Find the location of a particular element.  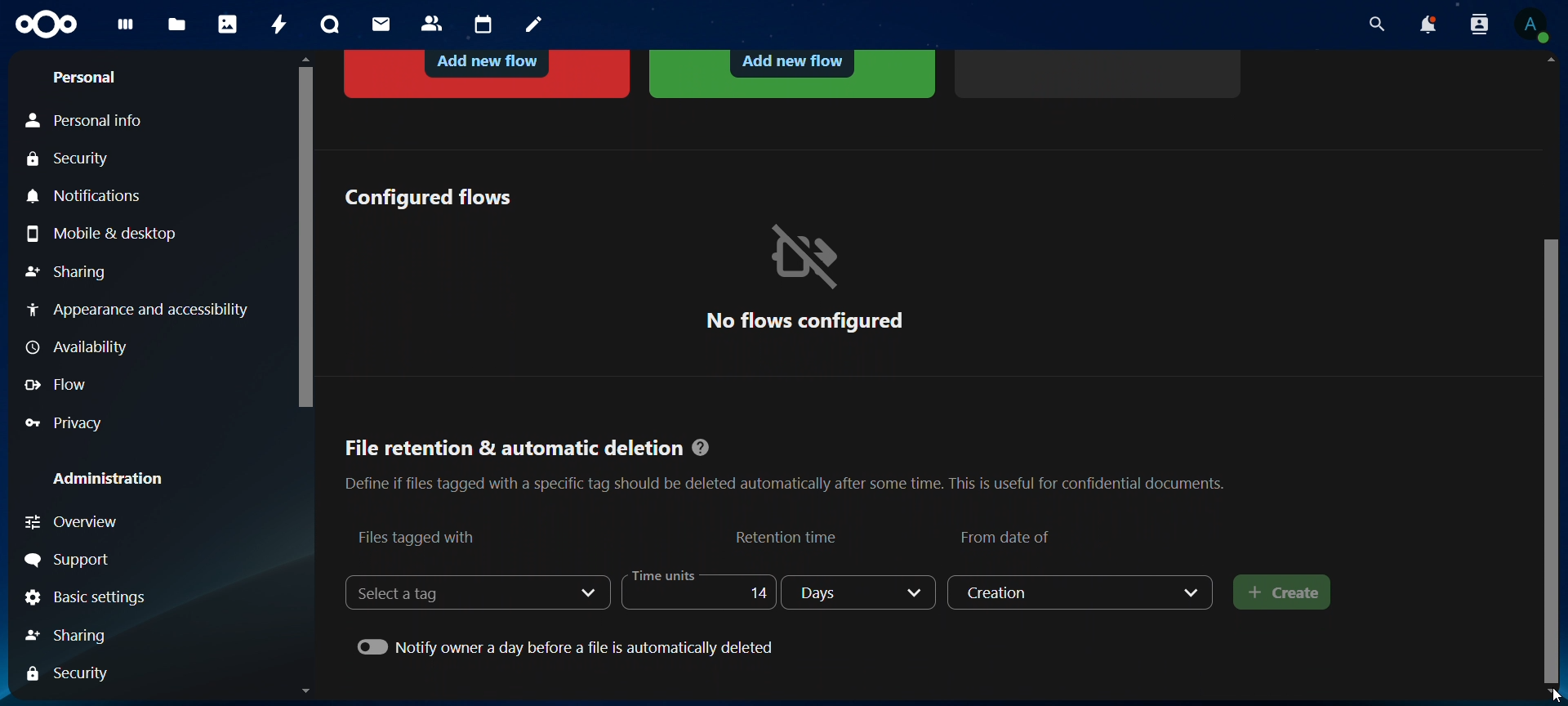

dashboard is located at coordinates (127, 29).